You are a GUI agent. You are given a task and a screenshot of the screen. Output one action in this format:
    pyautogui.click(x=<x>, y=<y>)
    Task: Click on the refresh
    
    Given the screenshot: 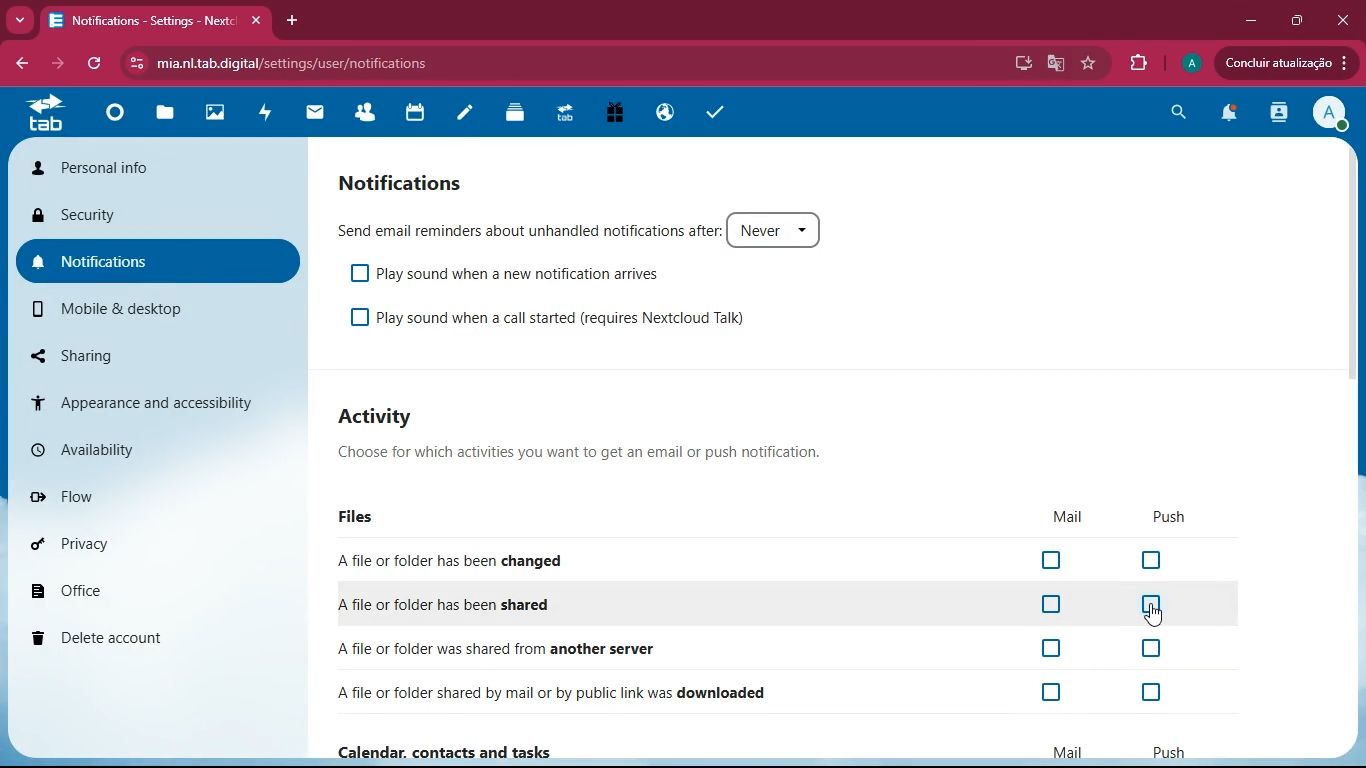 What is the action you would take?
    pyautogui.click(x=97, y=63)
    